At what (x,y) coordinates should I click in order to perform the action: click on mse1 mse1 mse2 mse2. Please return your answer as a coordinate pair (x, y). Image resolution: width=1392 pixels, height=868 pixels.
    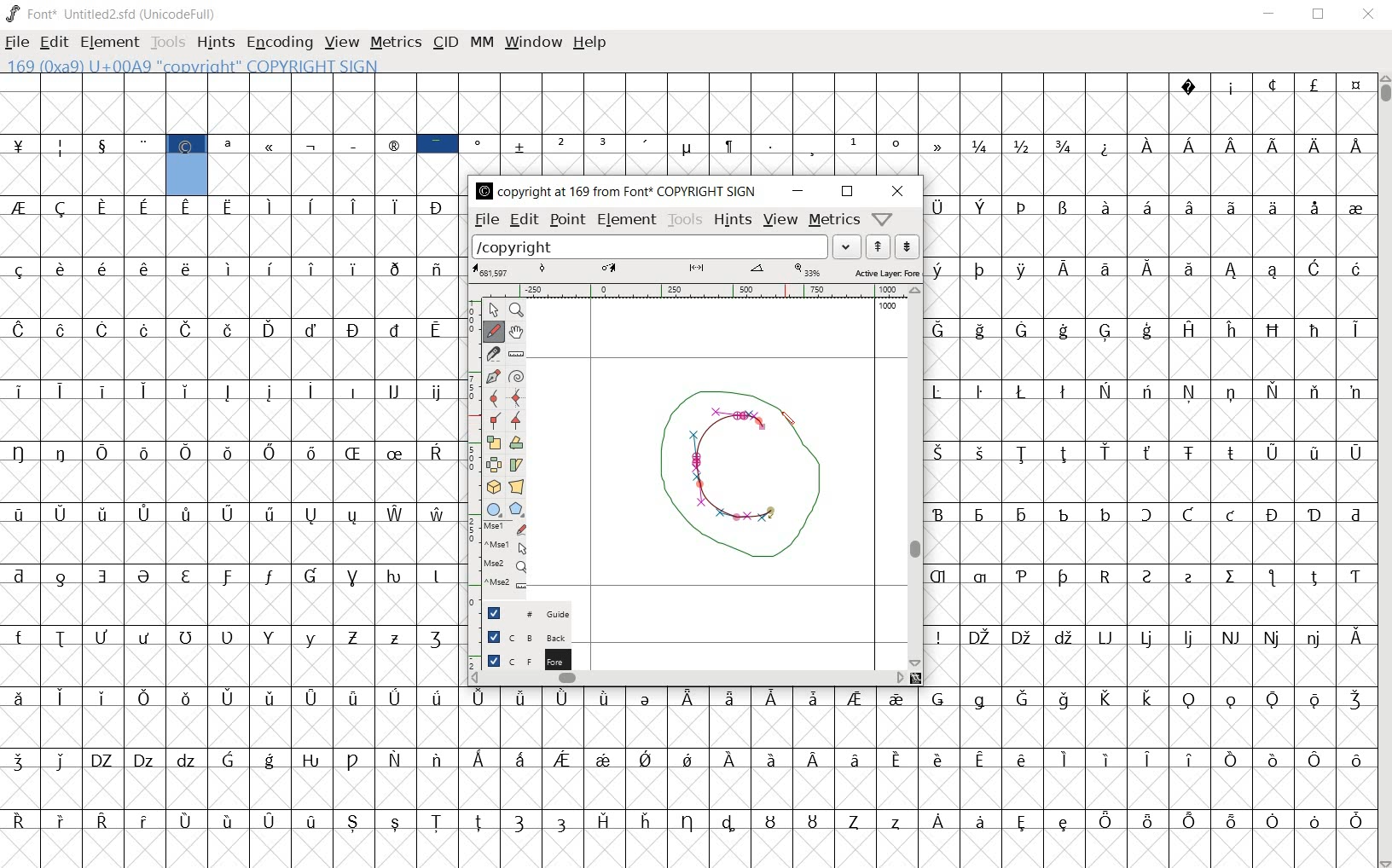
    Looking at the image, I should click on (502, 558).